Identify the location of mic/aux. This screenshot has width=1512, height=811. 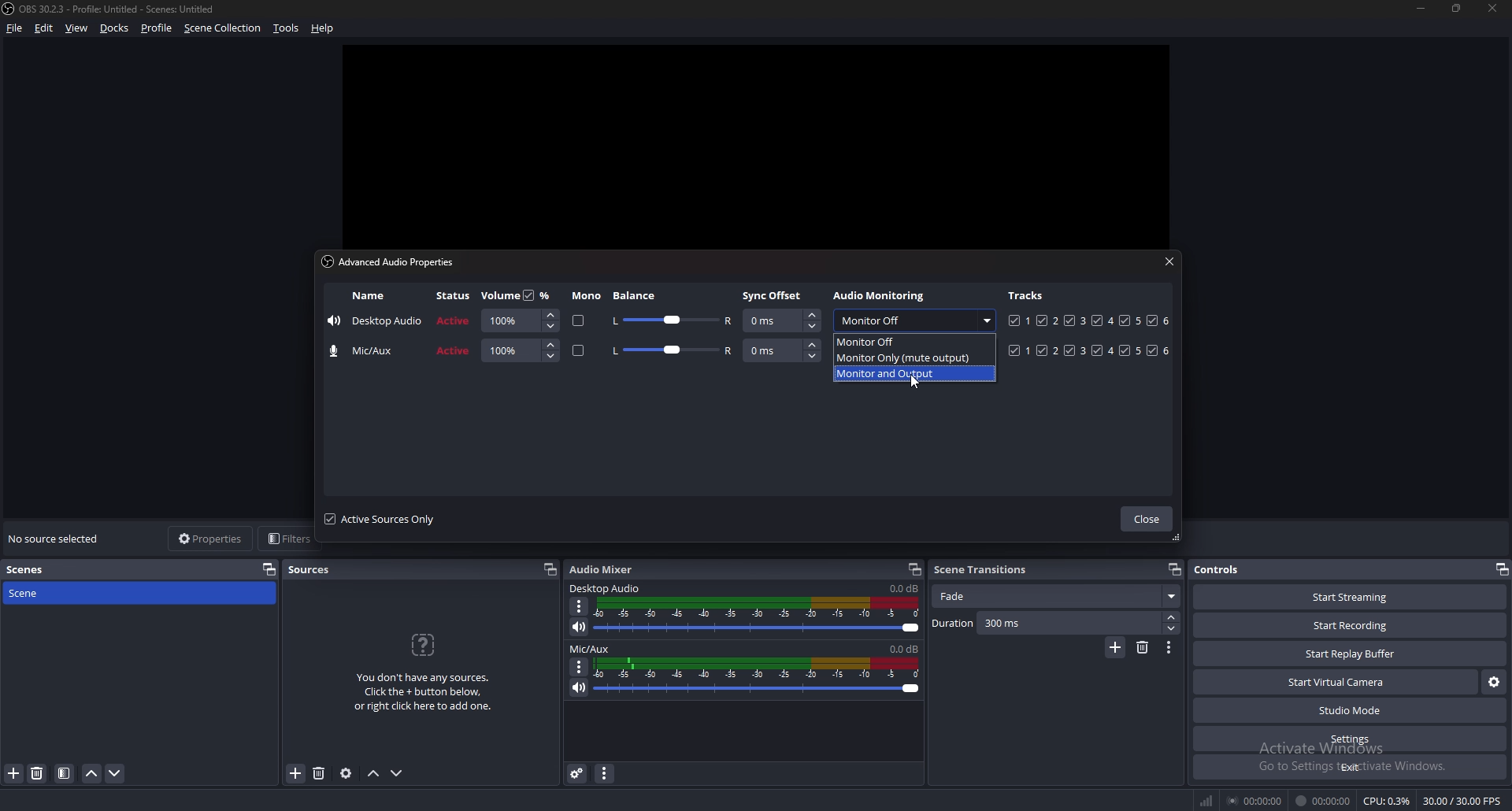
(591, 648).